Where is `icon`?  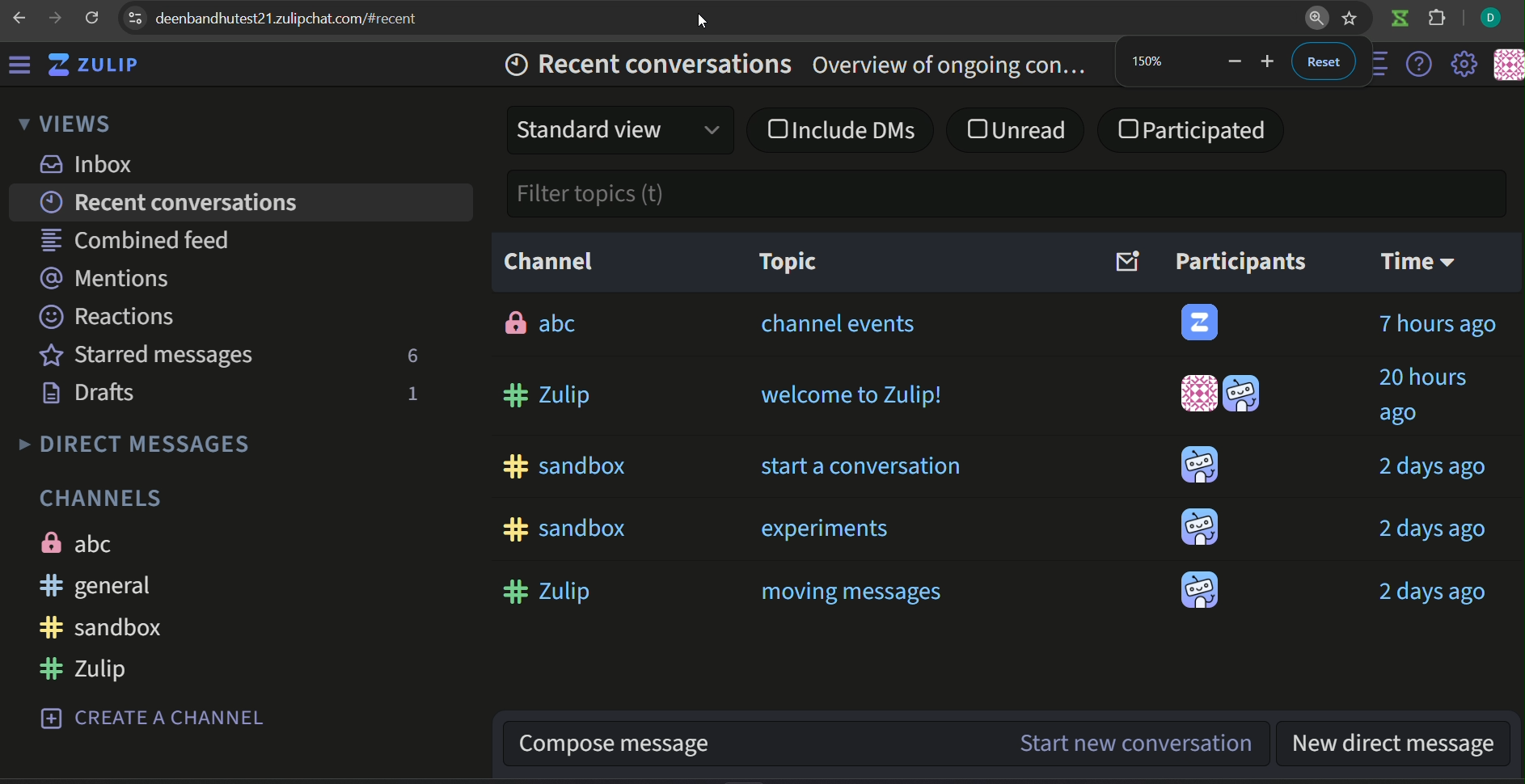
icon is located at coordinates (1200, 465).